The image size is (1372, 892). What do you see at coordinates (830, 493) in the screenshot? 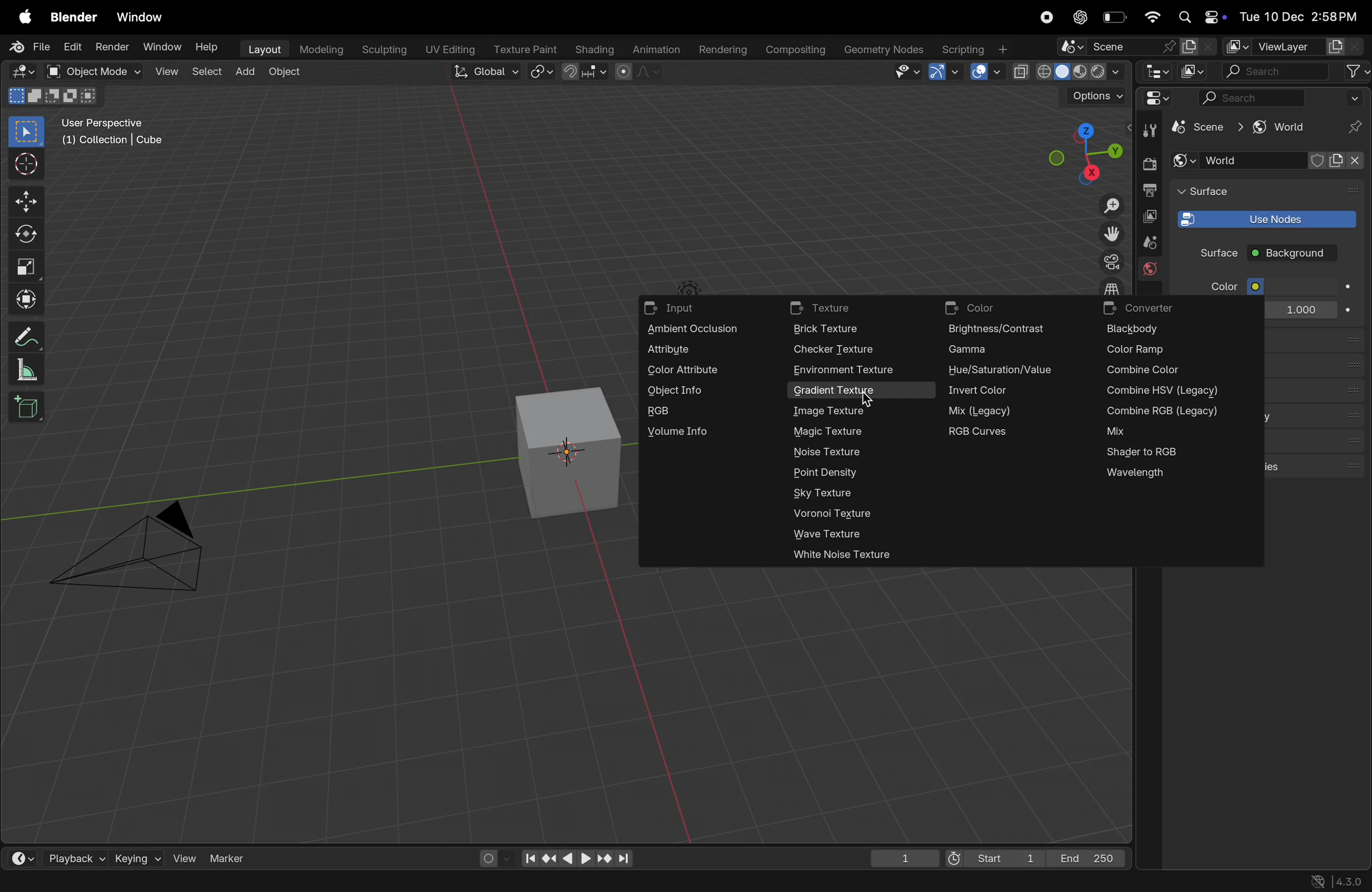
I see `Sky texture` at bounding box center [830, 493].